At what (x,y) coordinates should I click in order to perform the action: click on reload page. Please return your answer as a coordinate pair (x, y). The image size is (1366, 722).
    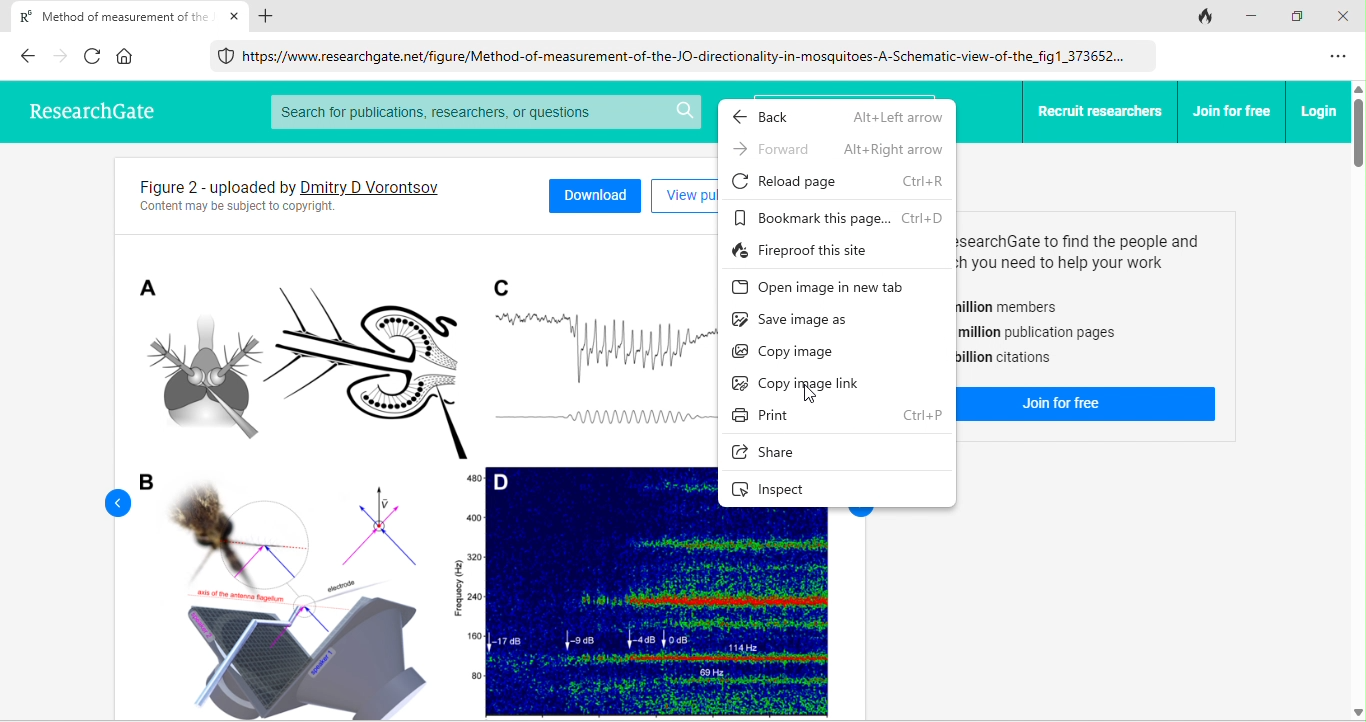
    Looking at the image, I should click on (844, 181).